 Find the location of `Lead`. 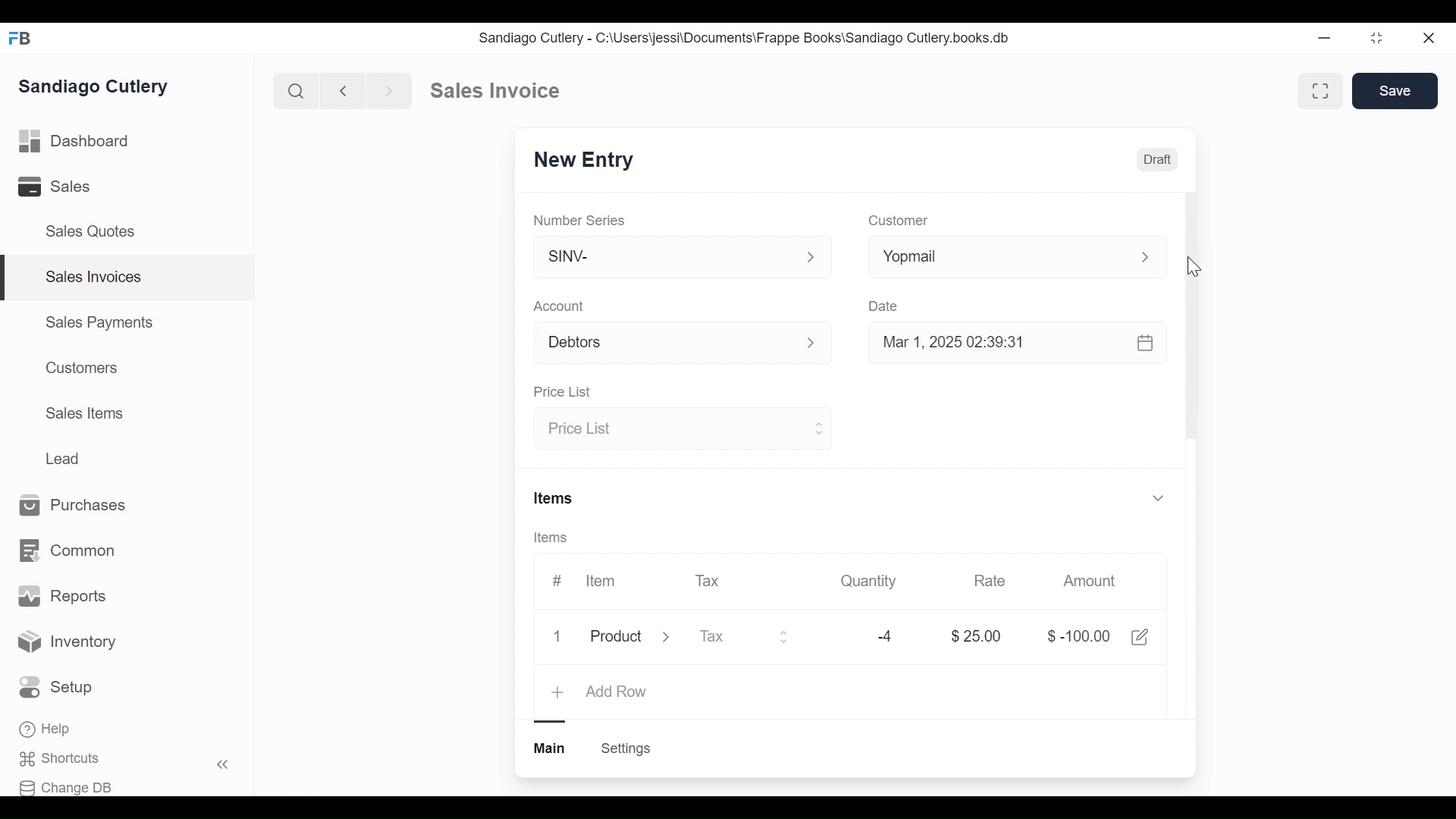

Lead is located at coordinates (64, 457).